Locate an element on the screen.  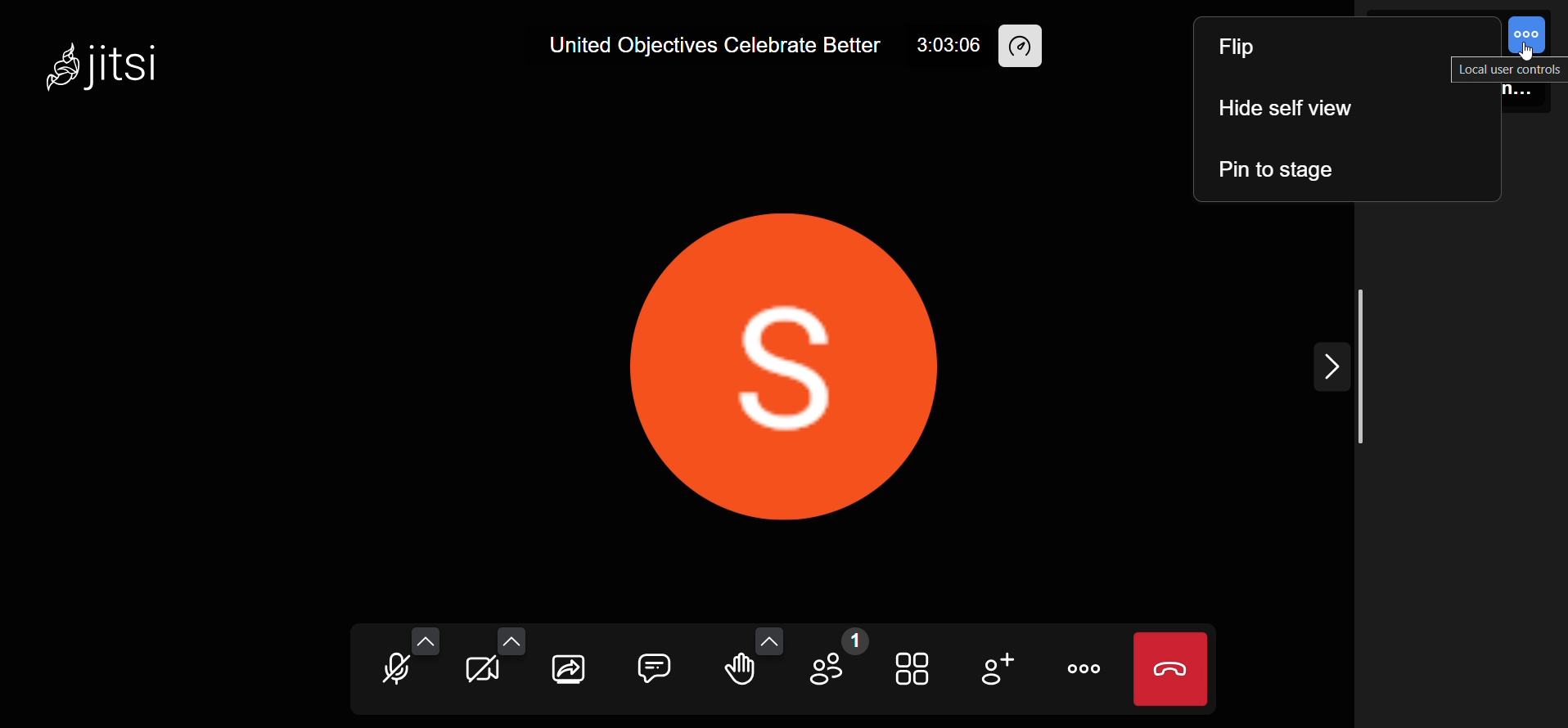
scroll bar is located at coordinates (1361, 367).